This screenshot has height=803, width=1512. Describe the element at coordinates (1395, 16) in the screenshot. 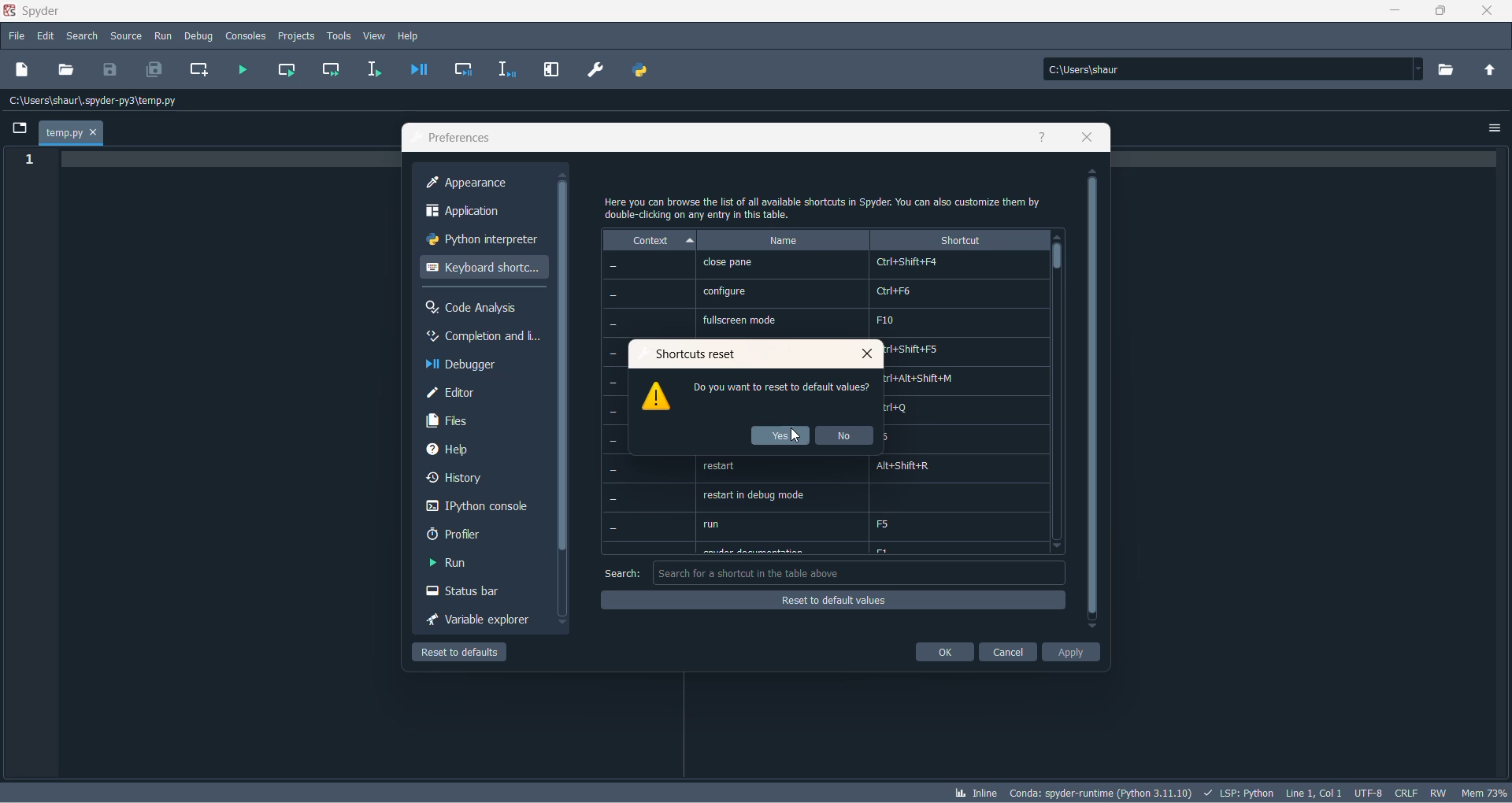

I see `minimize` at that location.